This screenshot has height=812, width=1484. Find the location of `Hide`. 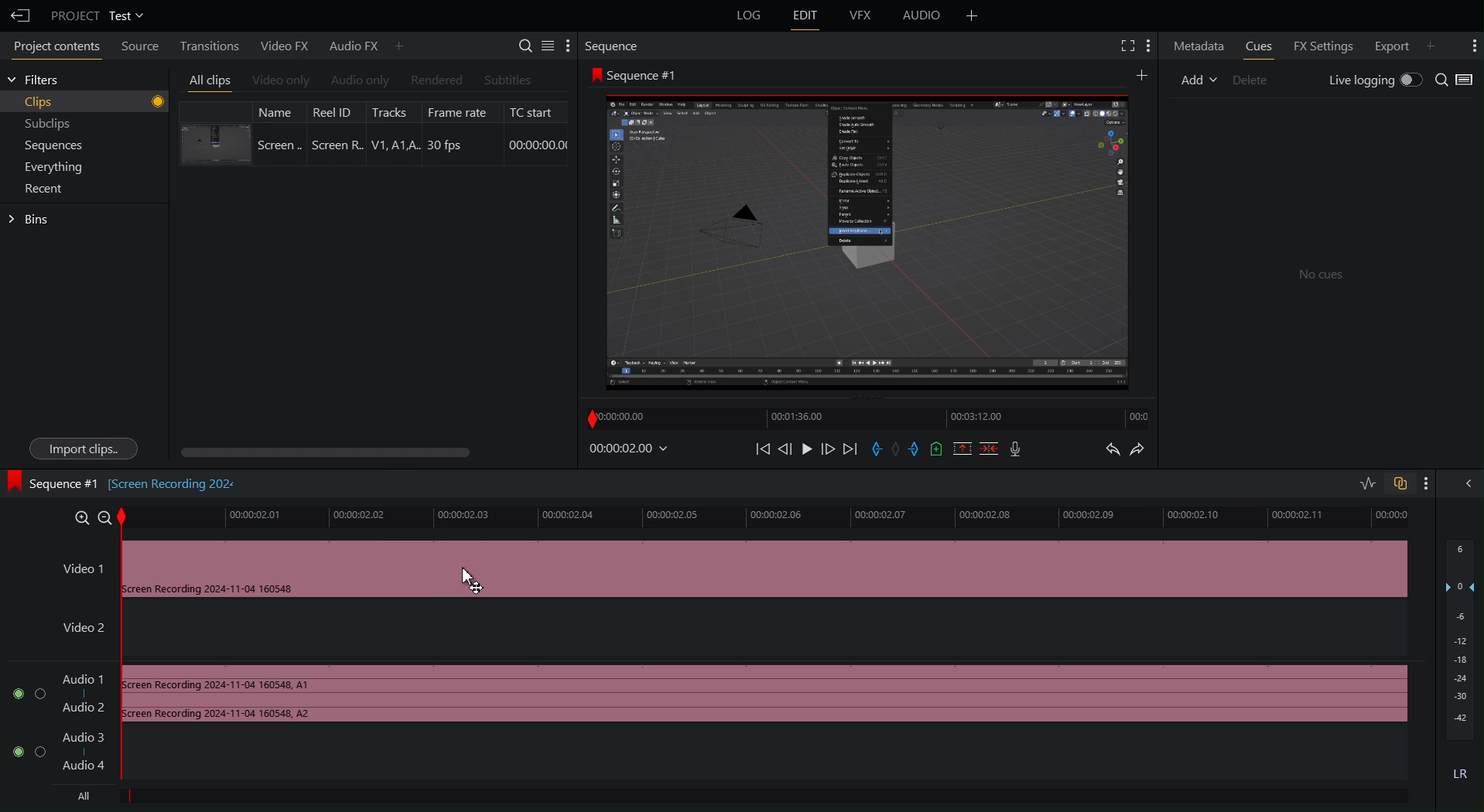

Hide is located at coordinates (1465, 484).